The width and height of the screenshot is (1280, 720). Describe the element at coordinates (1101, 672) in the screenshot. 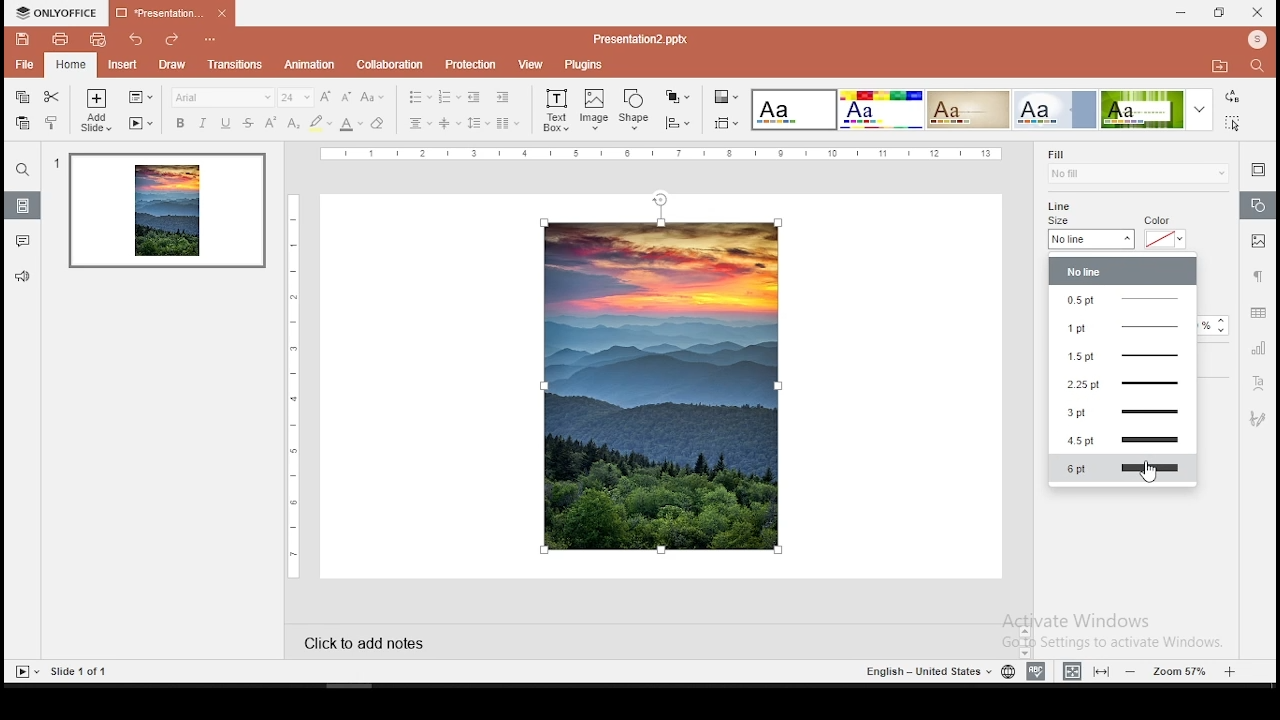

I see `fit to slide` at that location.